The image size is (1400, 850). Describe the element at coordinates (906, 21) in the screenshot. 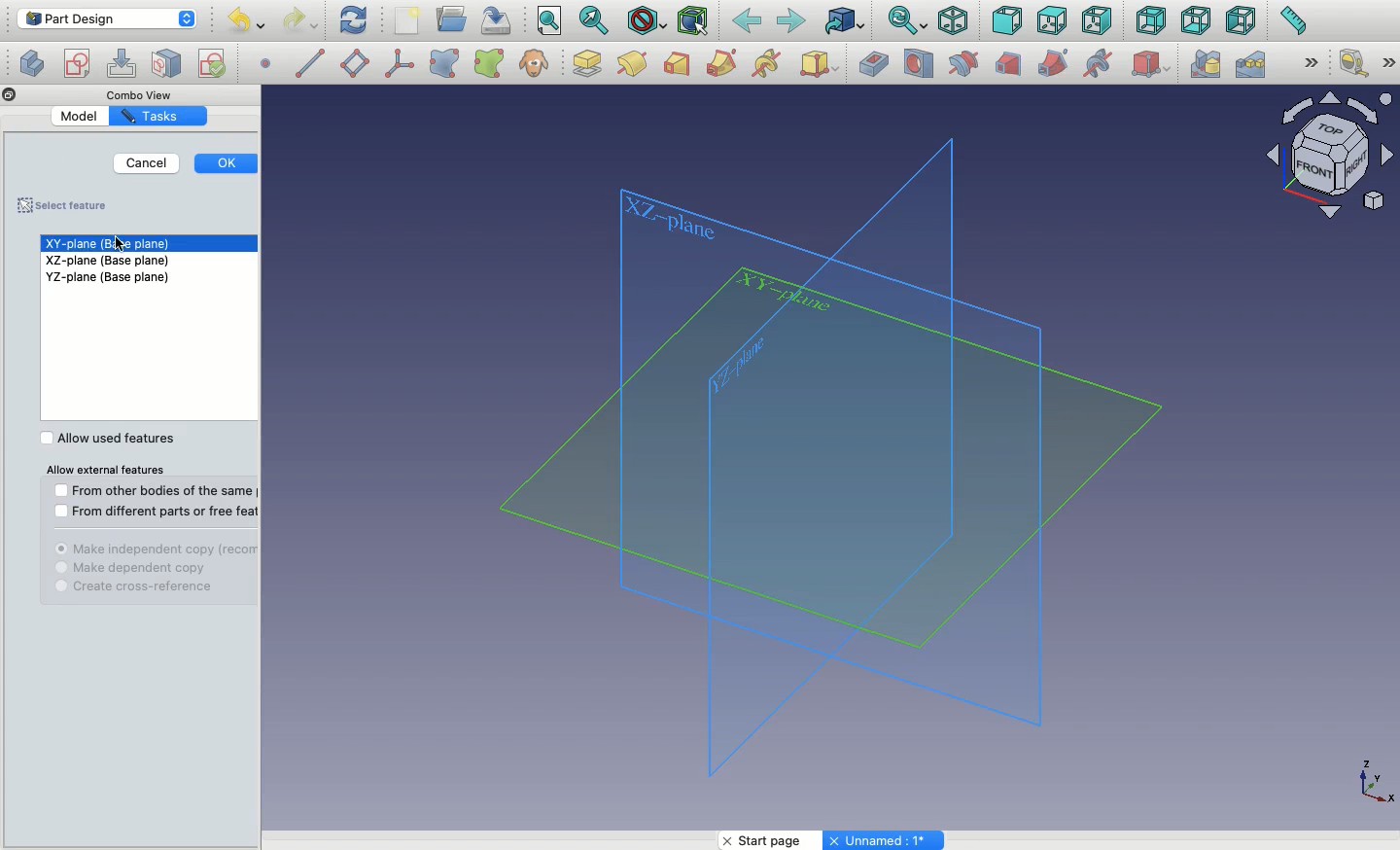

I see `Sync view` at that location.